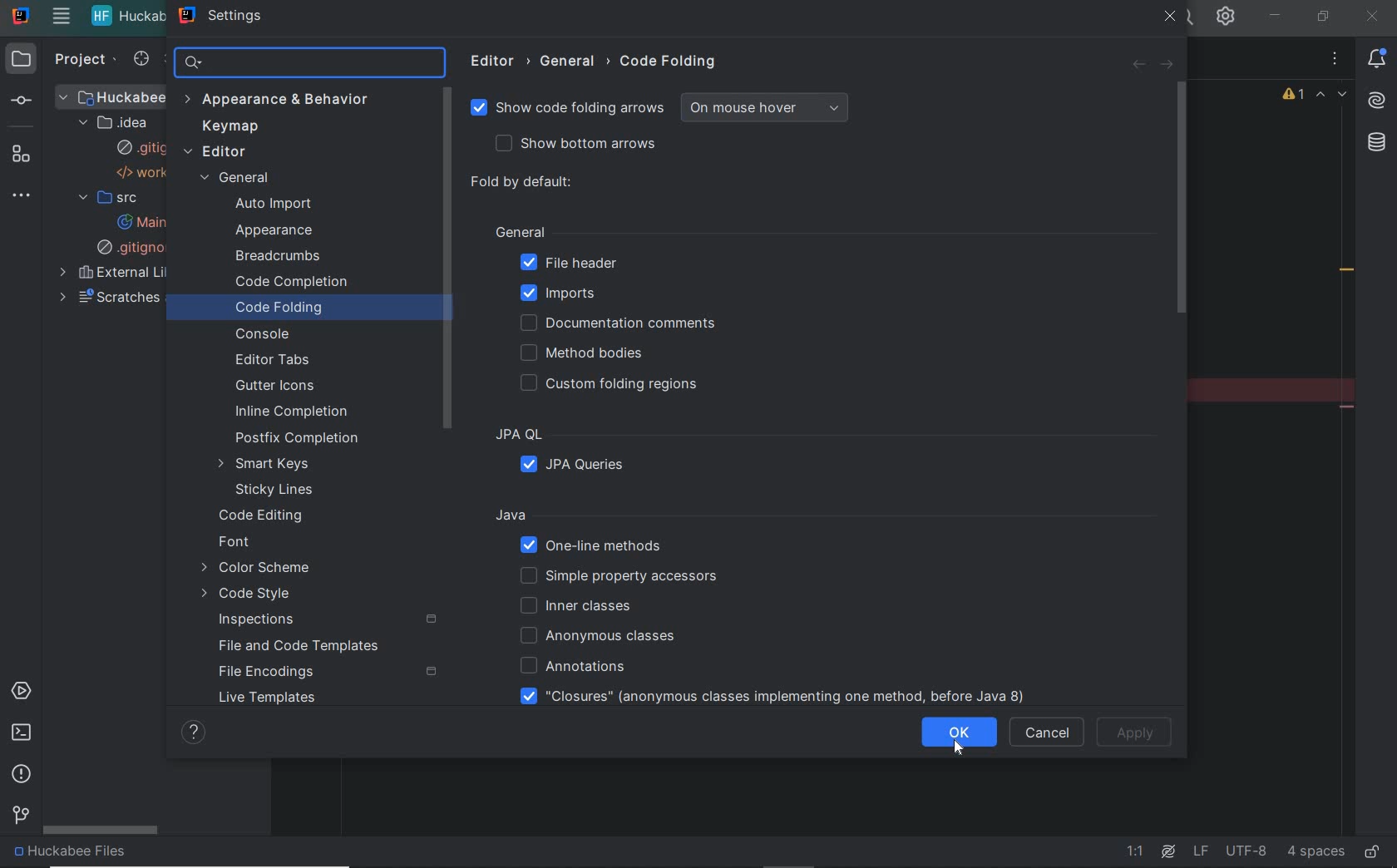  Describe the element at coordinates (273, 491) in the screenshot. I see `sticky lines` at that location.